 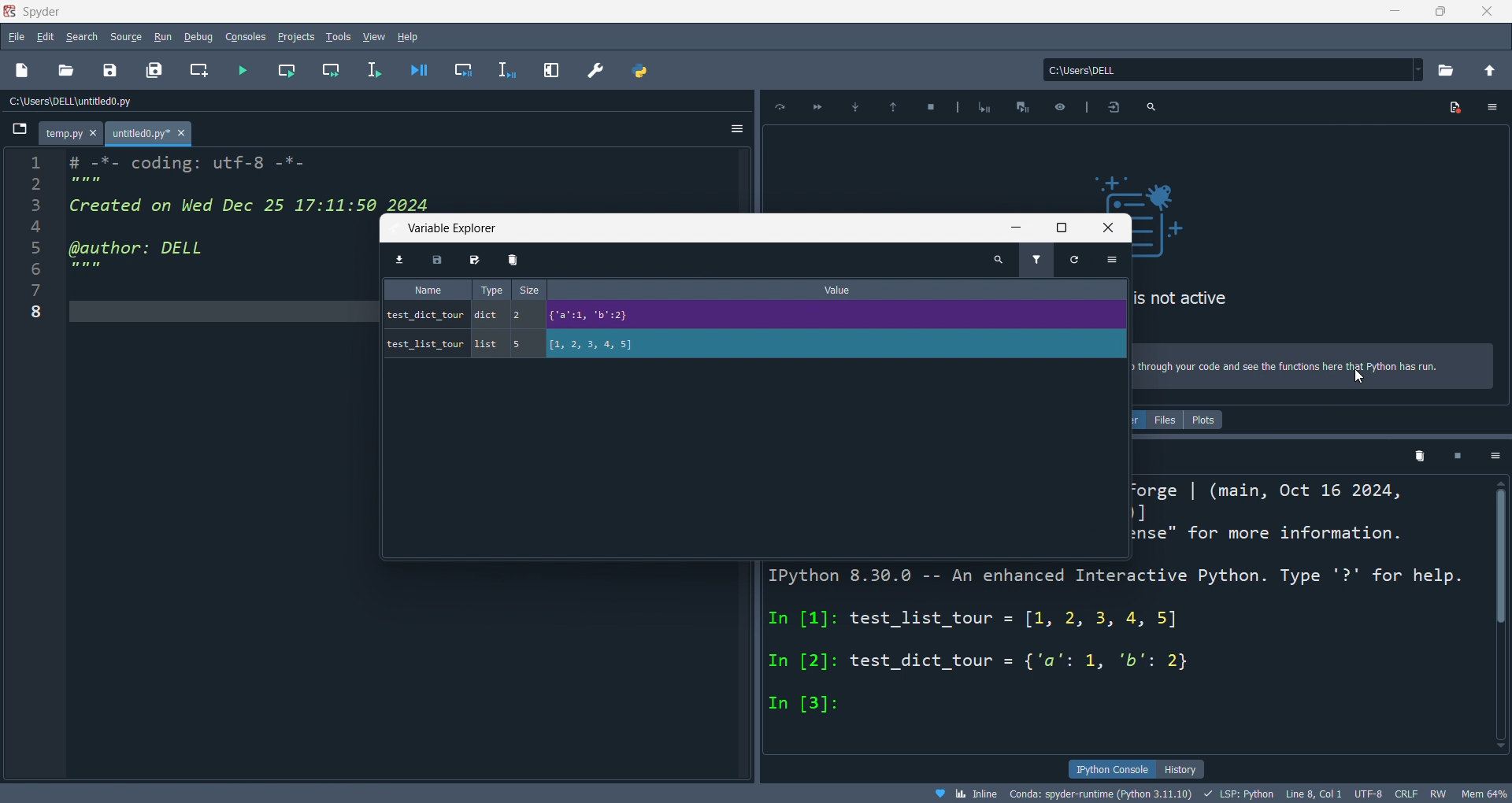 I want to click on icon, so click(x=1110, y=108).